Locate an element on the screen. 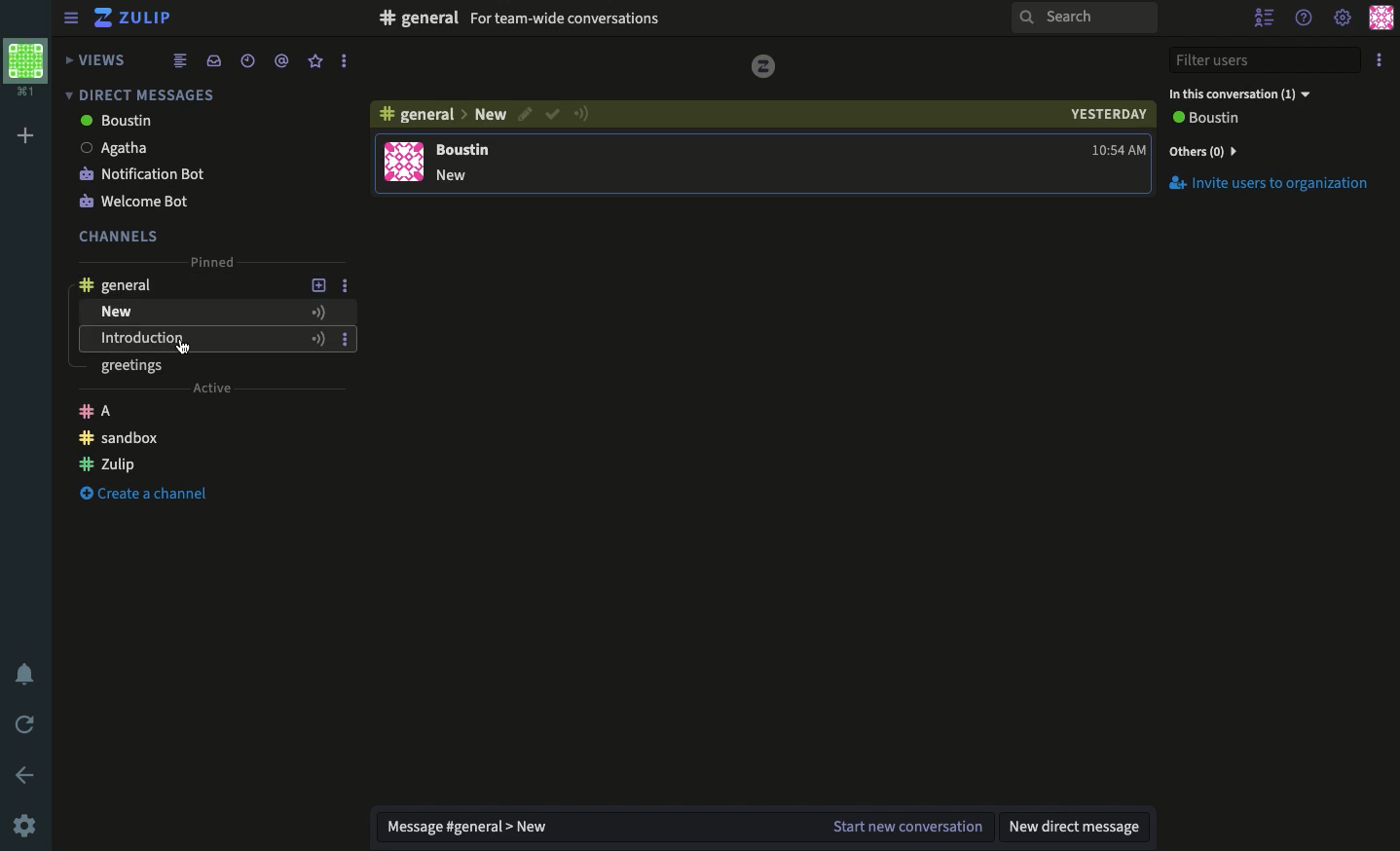 The image size is (1400, 851). Active is located at coordinates (319, 312).